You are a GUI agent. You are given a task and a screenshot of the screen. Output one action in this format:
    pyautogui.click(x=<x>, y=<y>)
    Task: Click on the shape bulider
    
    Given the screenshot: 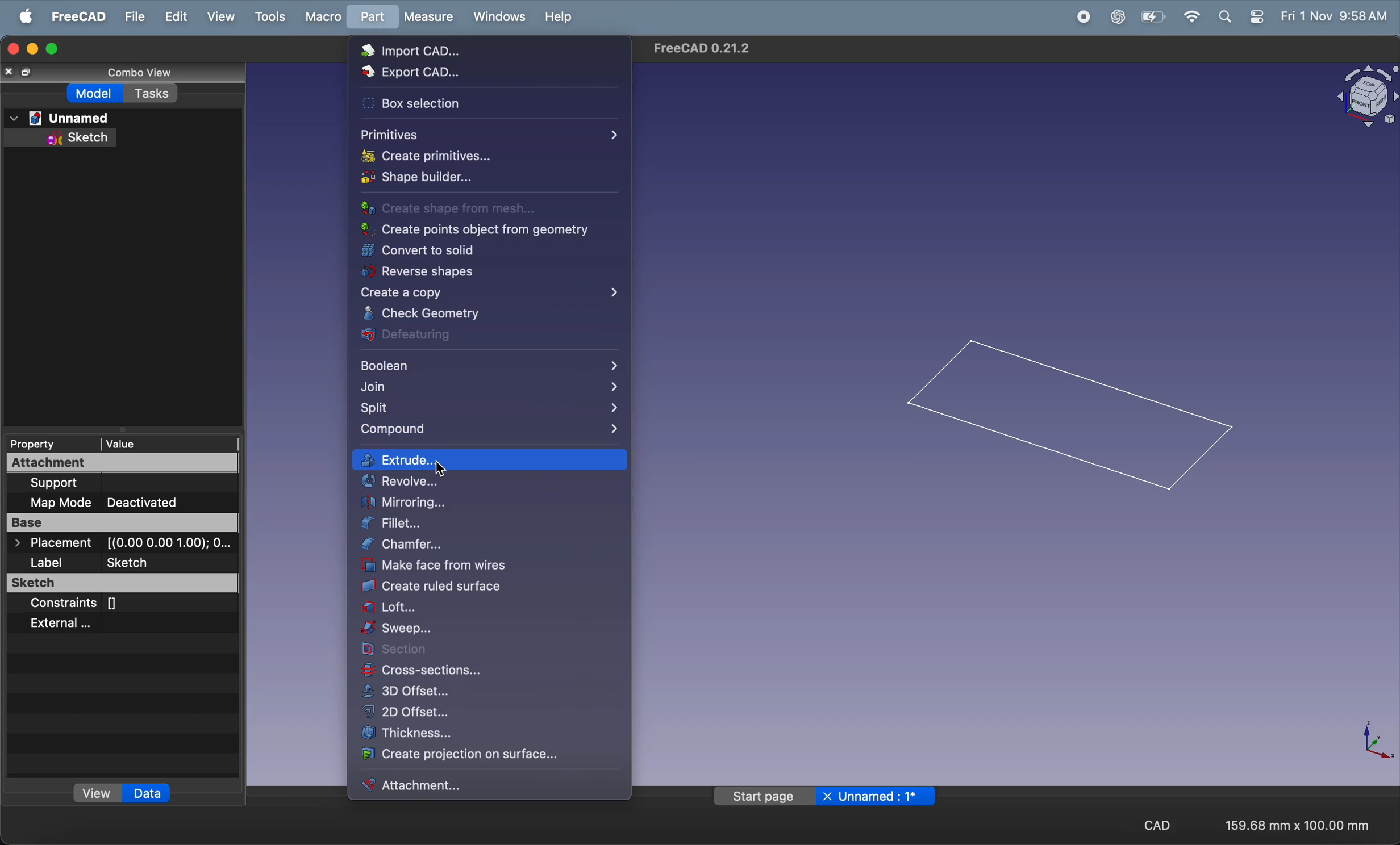 What is the action you would take?
    pyautogui.click(x=477, y=179)
    